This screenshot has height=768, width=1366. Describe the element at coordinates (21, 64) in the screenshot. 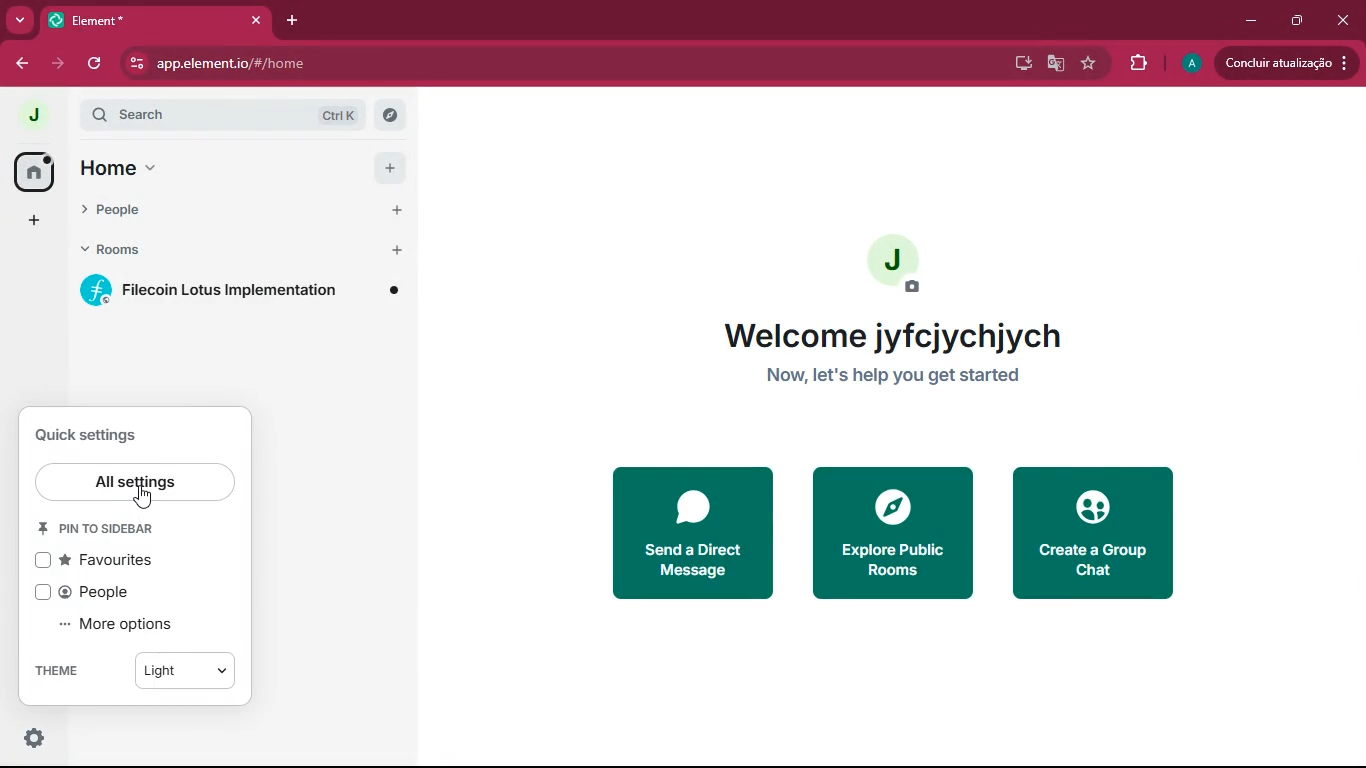

I see `back` at that location.